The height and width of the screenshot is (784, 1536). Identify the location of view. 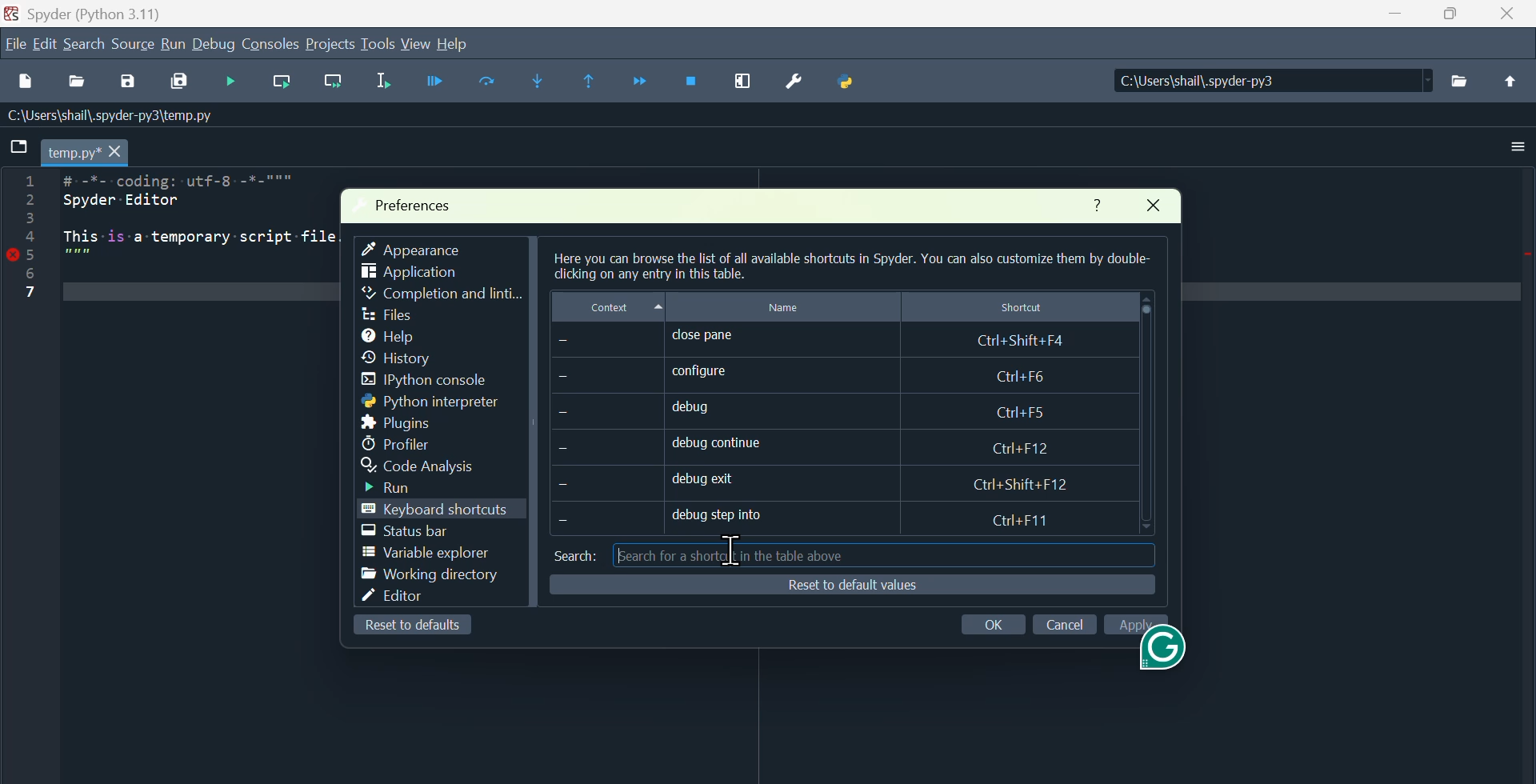
(415, 42).